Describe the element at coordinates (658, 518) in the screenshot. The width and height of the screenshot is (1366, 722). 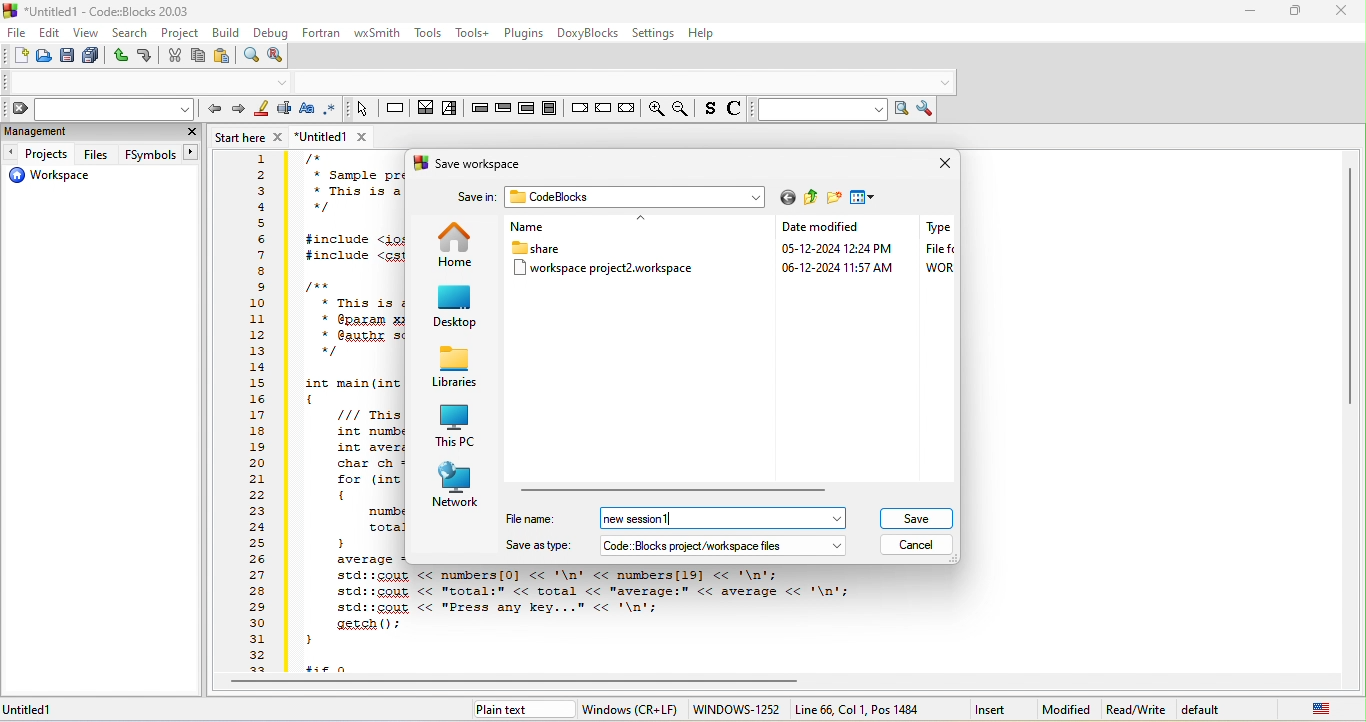
I see `file name` at that location.